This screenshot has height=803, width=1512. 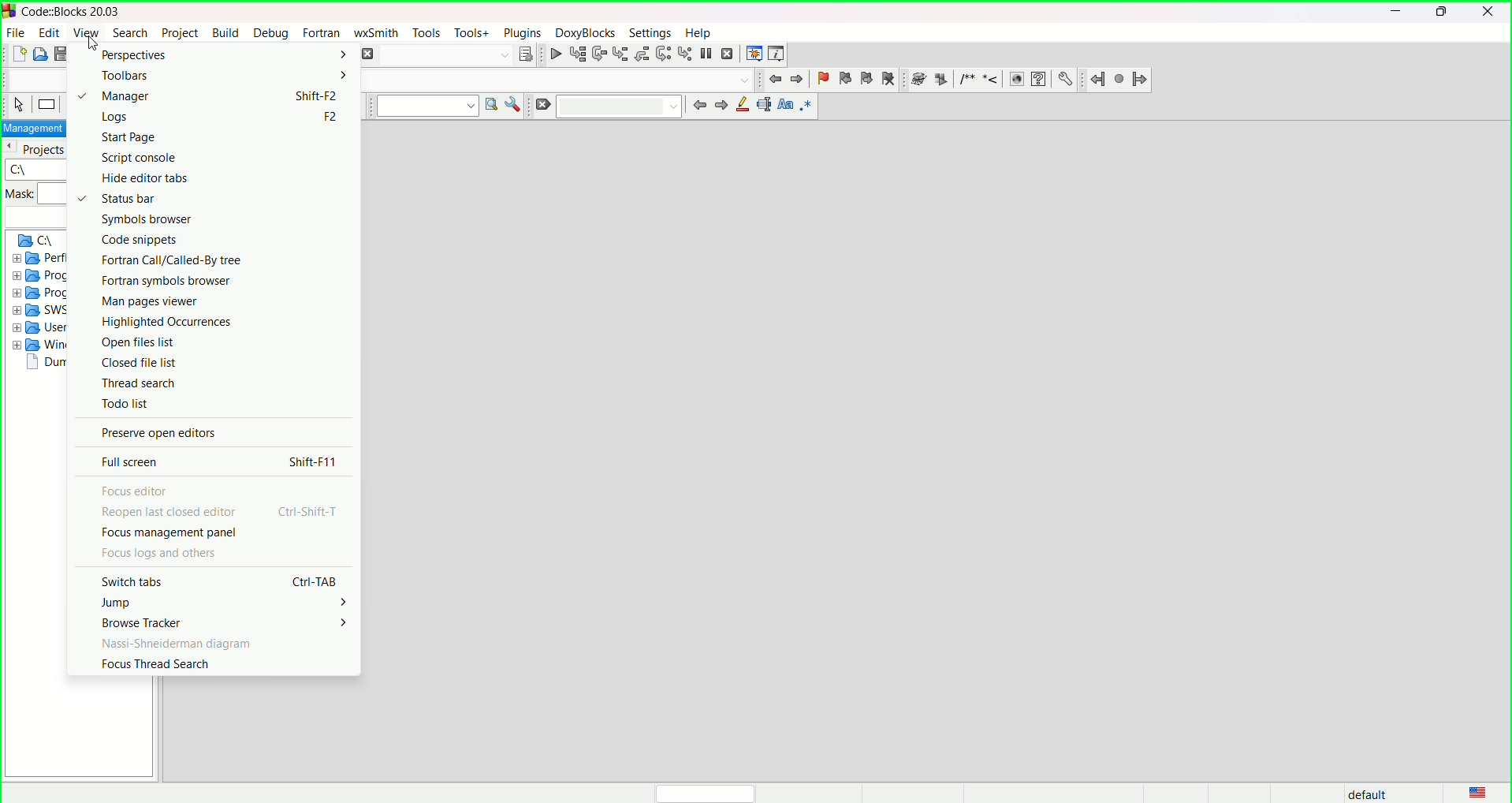 I want to click on jump back, so click(x=772, y=78).